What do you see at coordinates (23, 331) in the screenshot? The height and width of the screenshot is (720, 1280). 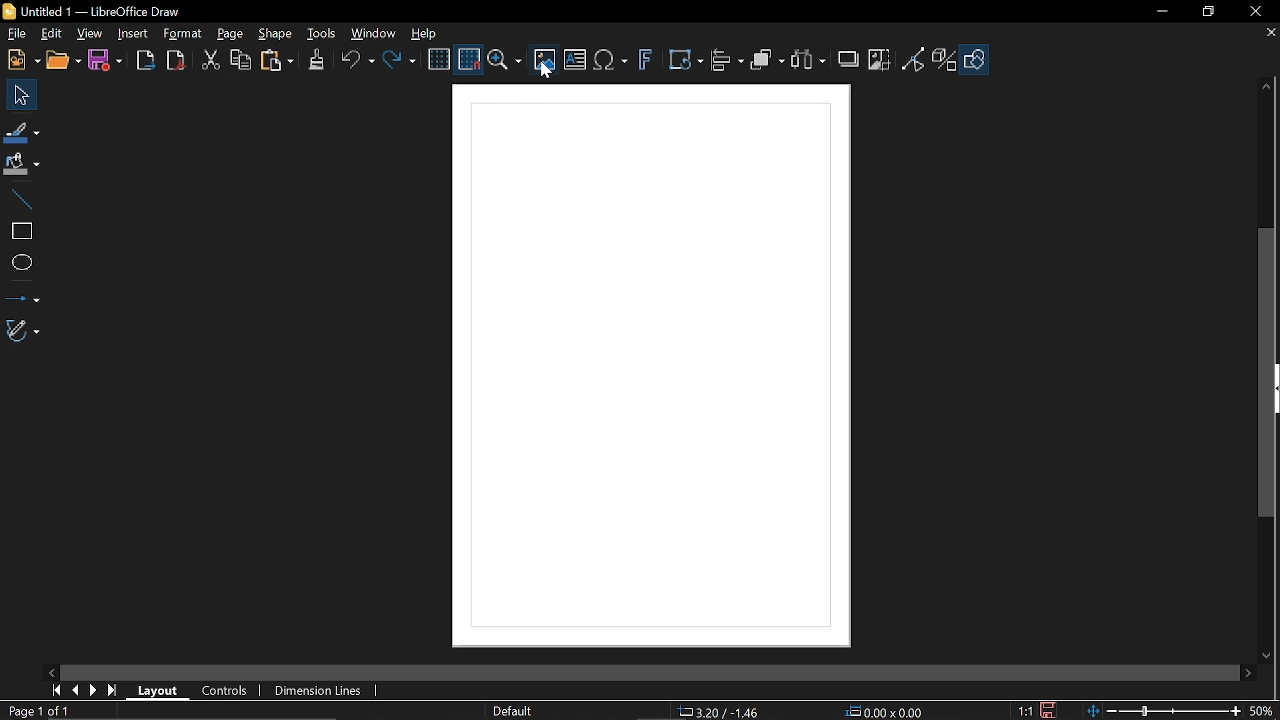 I see `Curves and polygons` at bounding box center [23, 331].